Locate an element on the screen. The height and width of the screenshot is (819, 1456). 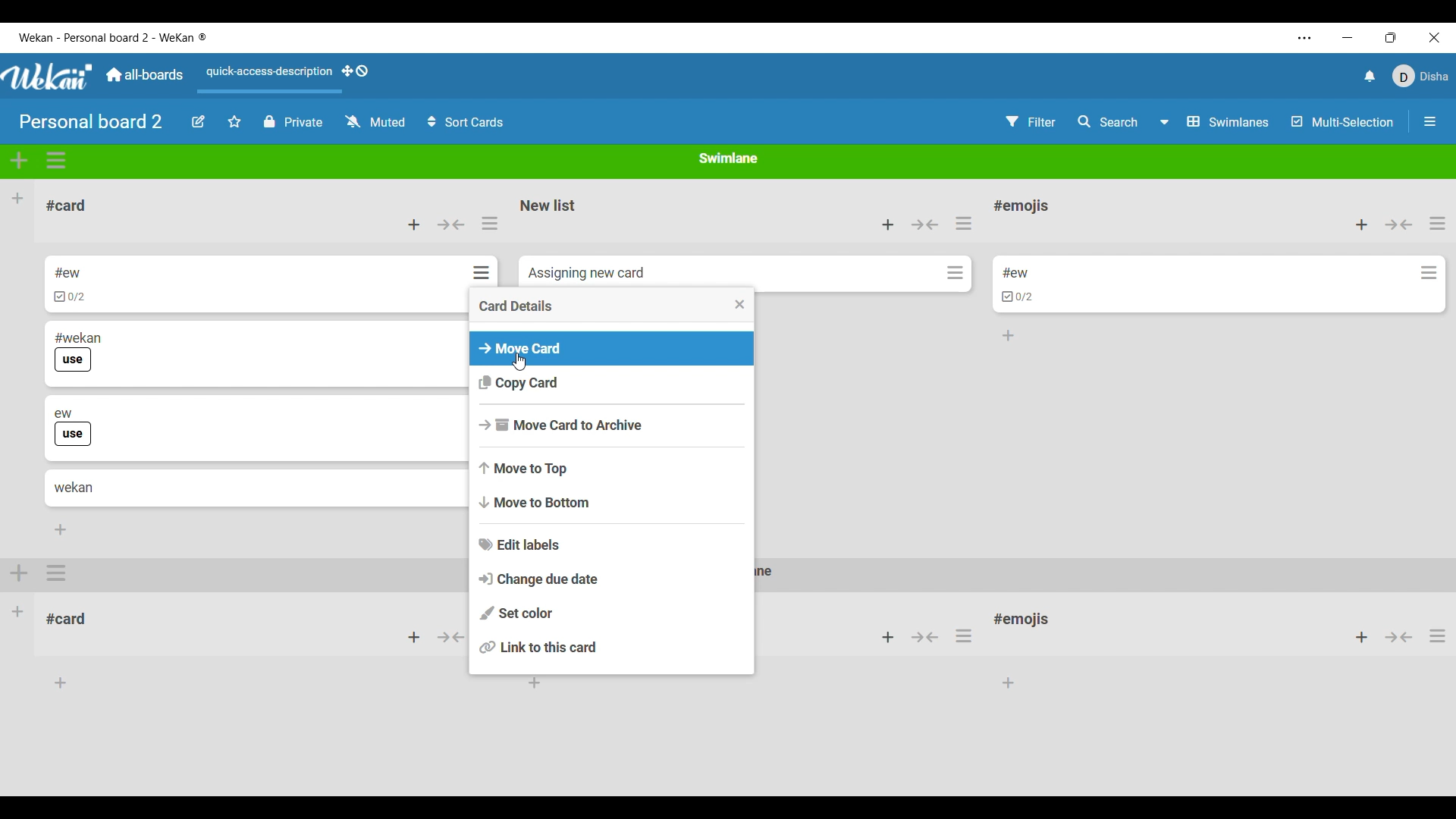
Change due date is located at coordinates (612, 579).